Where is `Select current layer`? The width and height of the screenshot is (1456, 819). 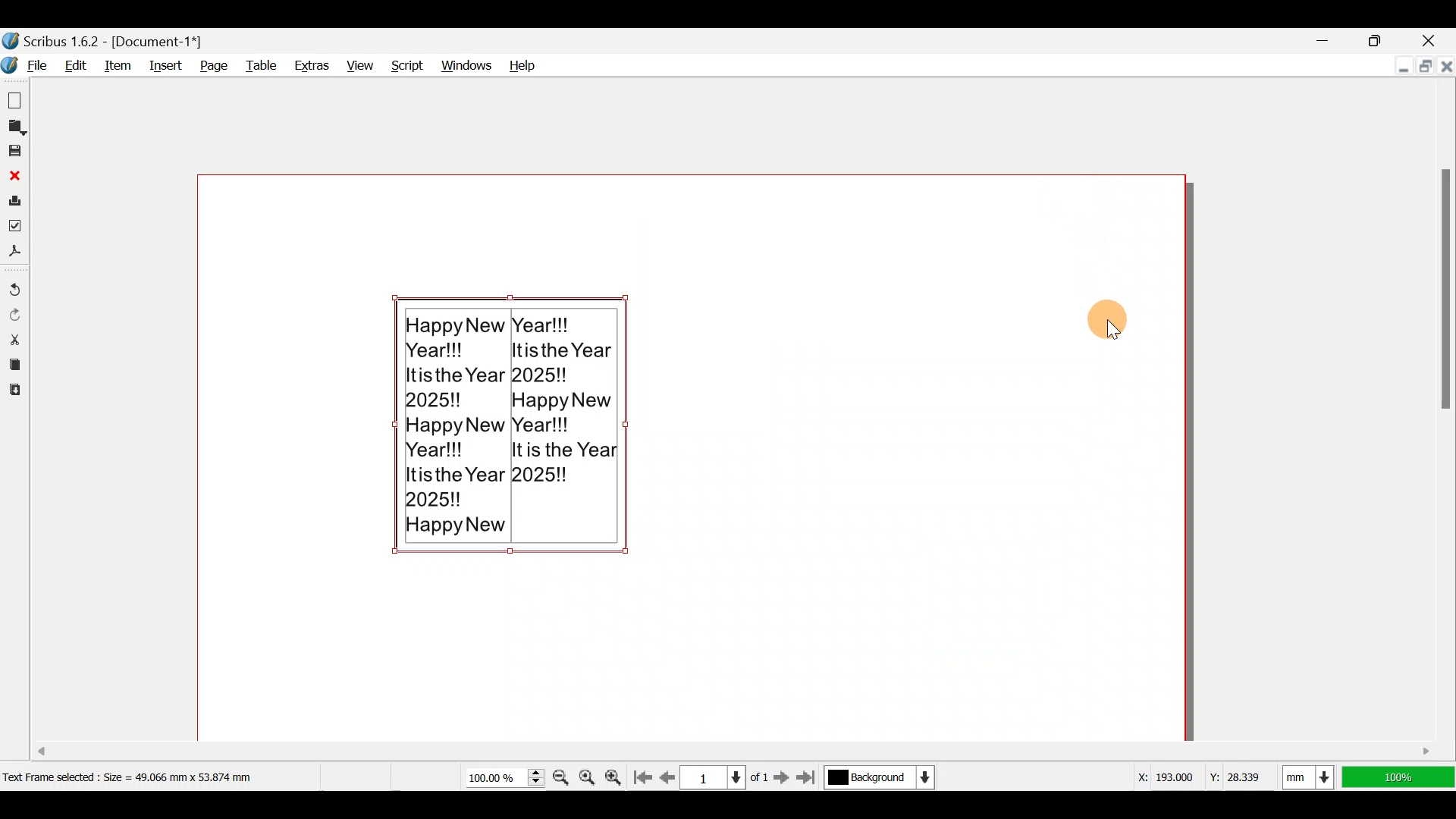
Select current layer is located at coordinates (878, 778).